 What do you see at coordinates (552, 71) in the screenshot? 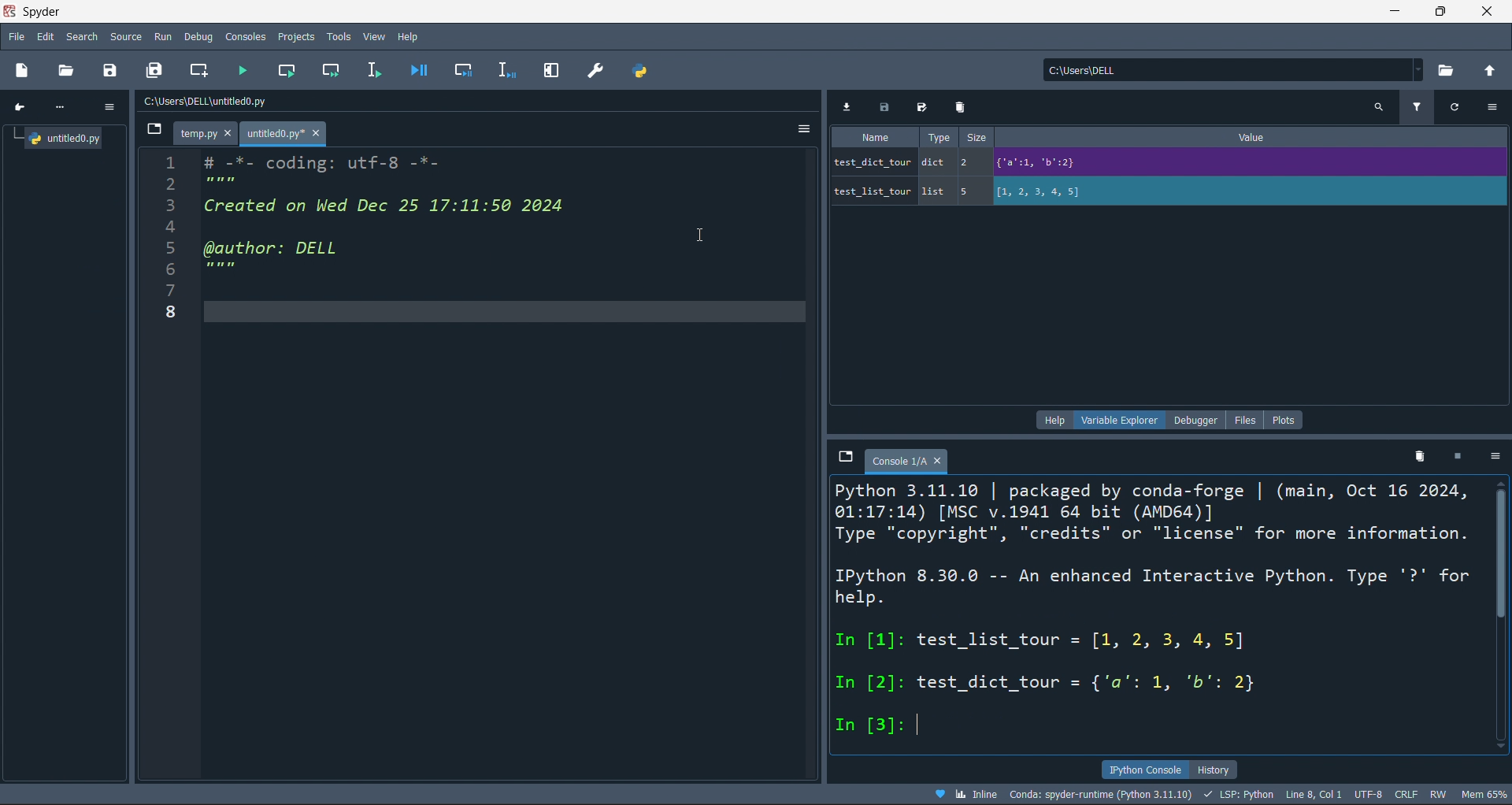
I see `expand pane` at bounding box center [552, 71].